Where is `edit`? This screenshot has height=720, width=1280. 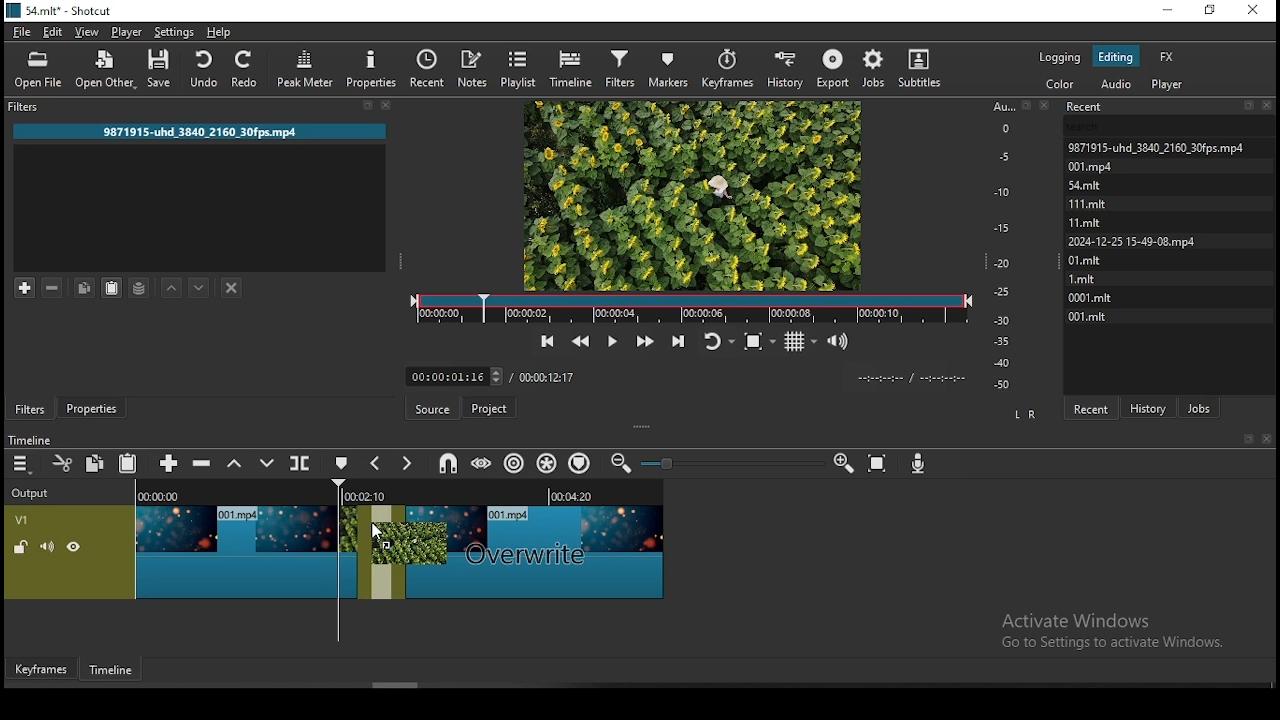
edit is located at coordinates (51, 31).